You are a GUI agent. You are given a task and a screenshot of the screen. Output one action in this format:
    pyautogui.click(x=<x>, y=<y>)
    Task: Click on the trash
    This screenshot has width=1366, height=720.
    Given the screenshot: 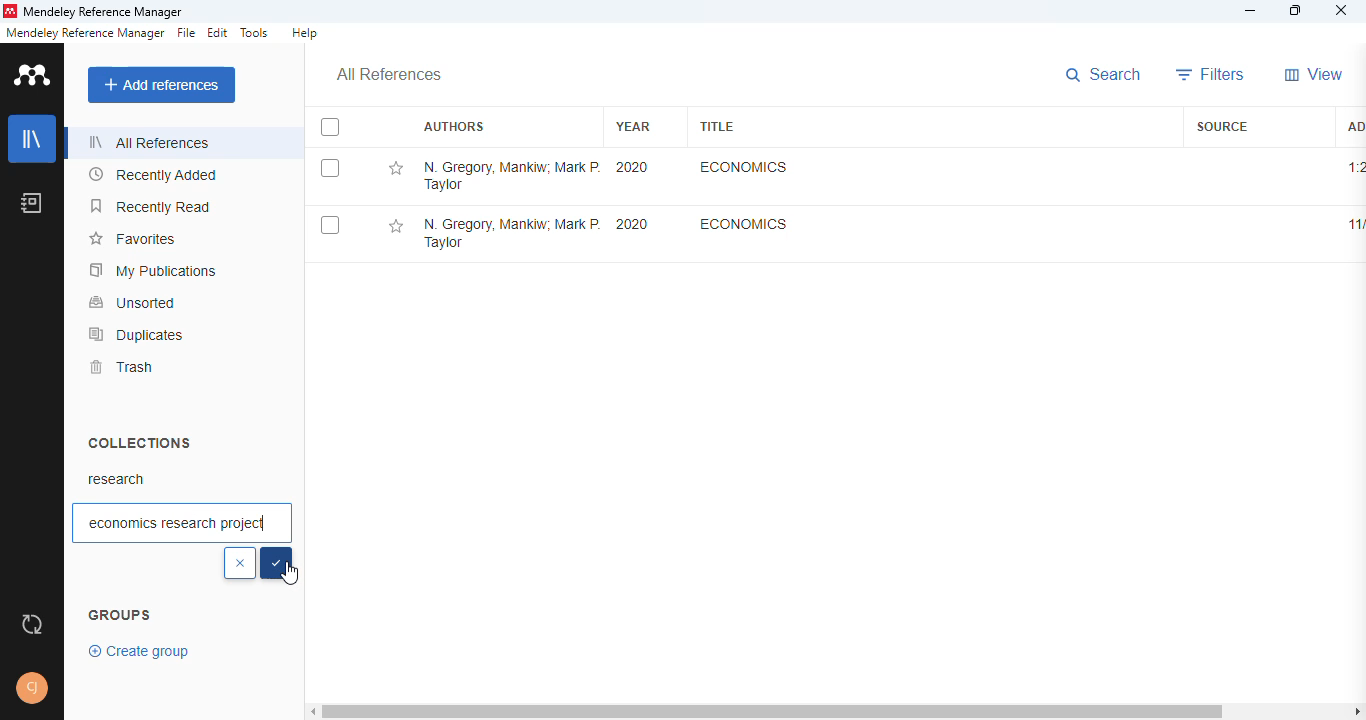 What is the action you would take?
    pyautogui.click(x=120, y=367)
    